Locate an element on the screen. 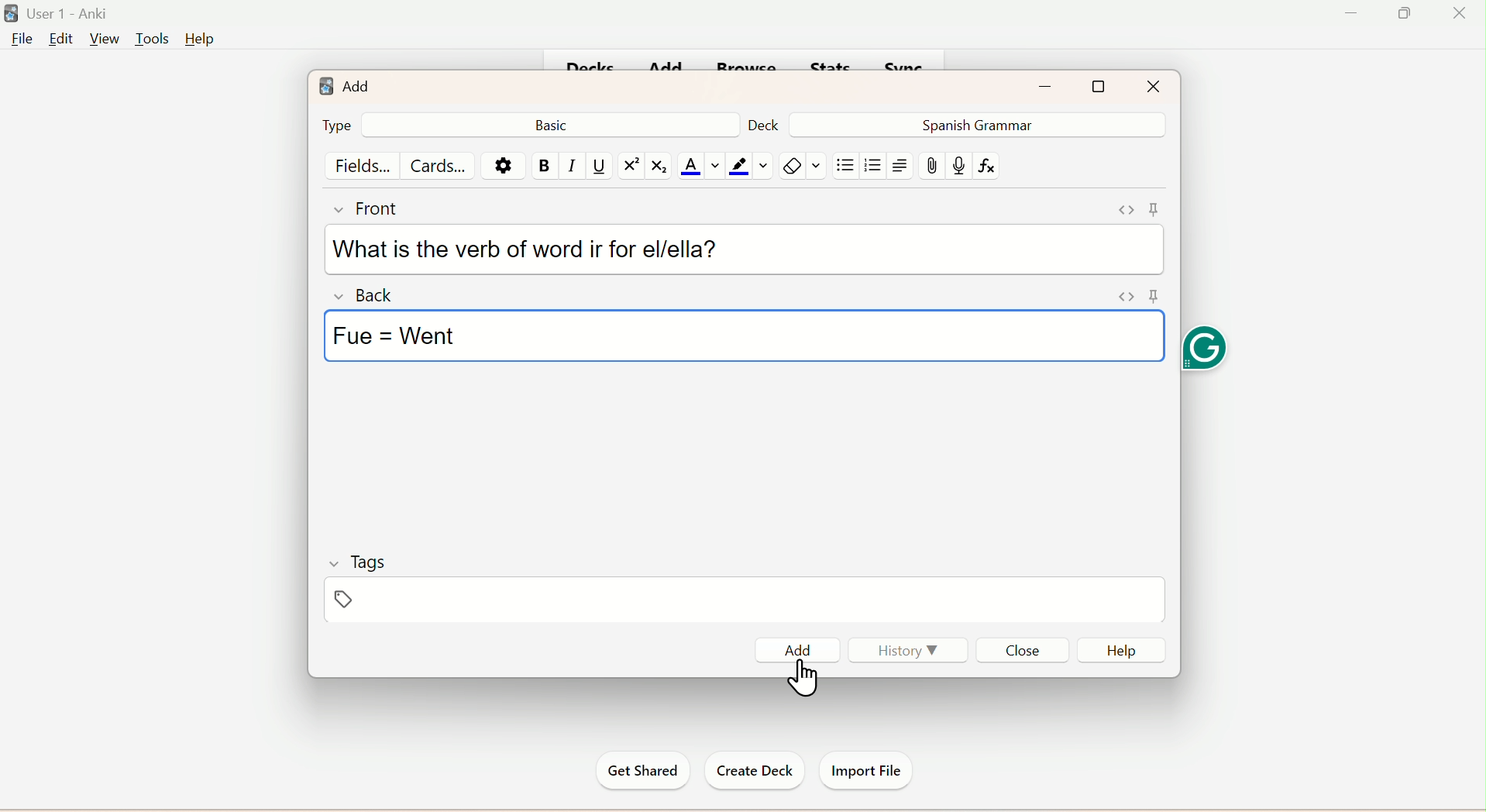 The width and height of the screenshot is (1486, 812). Subscript is located at coordinates (659, 167).